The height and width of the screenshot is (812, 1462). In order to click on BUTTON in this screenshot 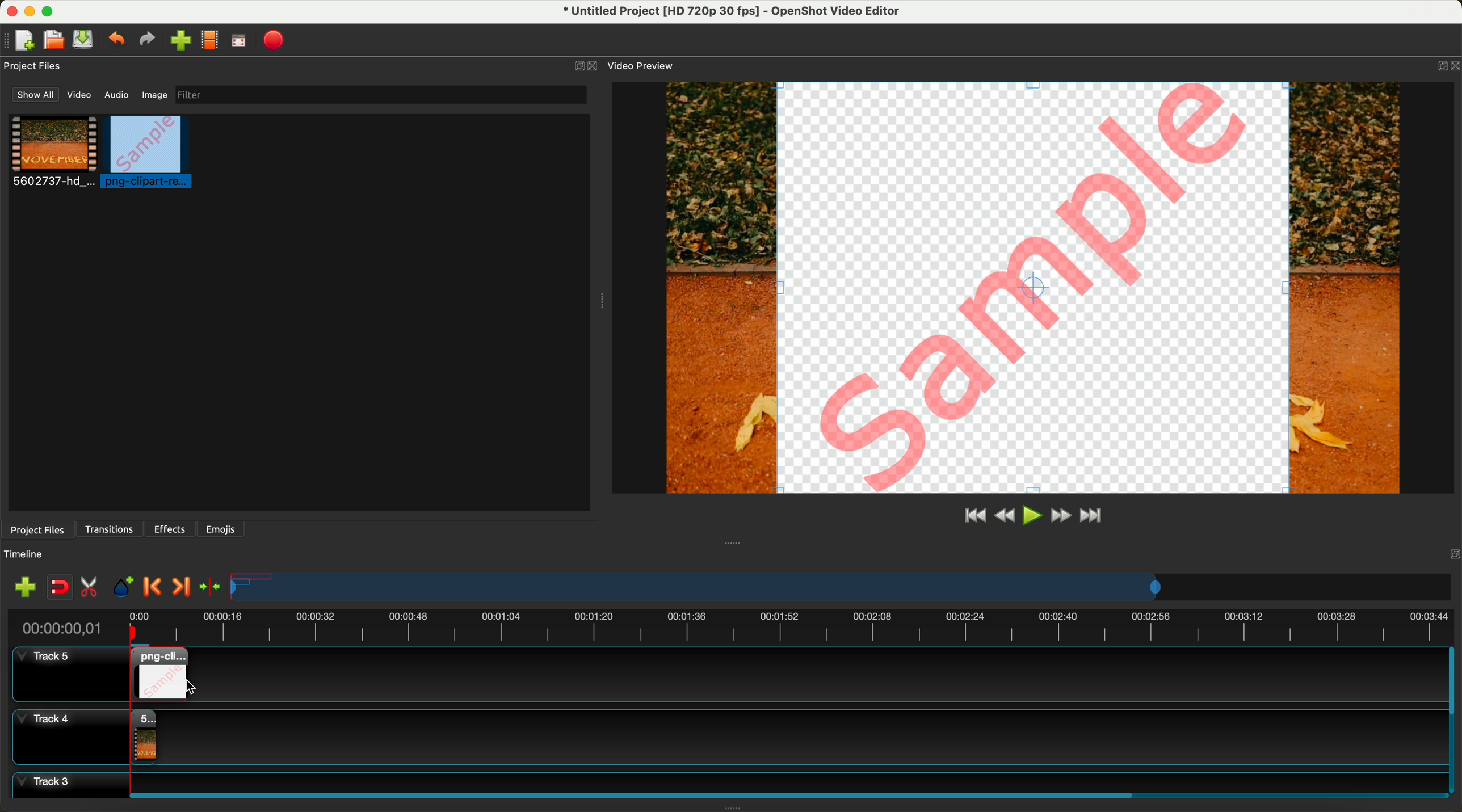, I will do `click(1439, 63)`.